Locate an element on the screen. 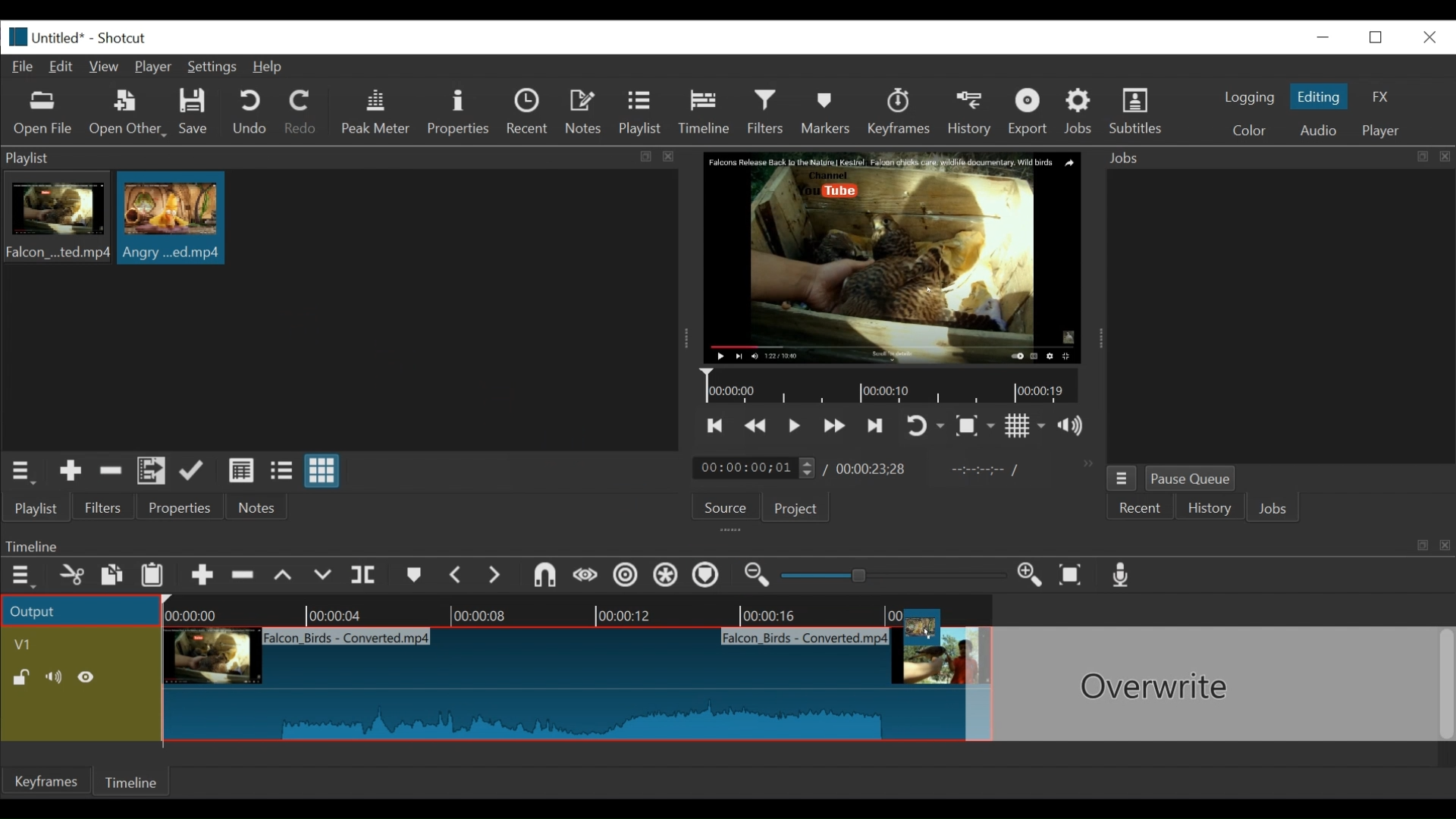 The image size is (1456, 819). Settings is located at coordinates (215, 69).